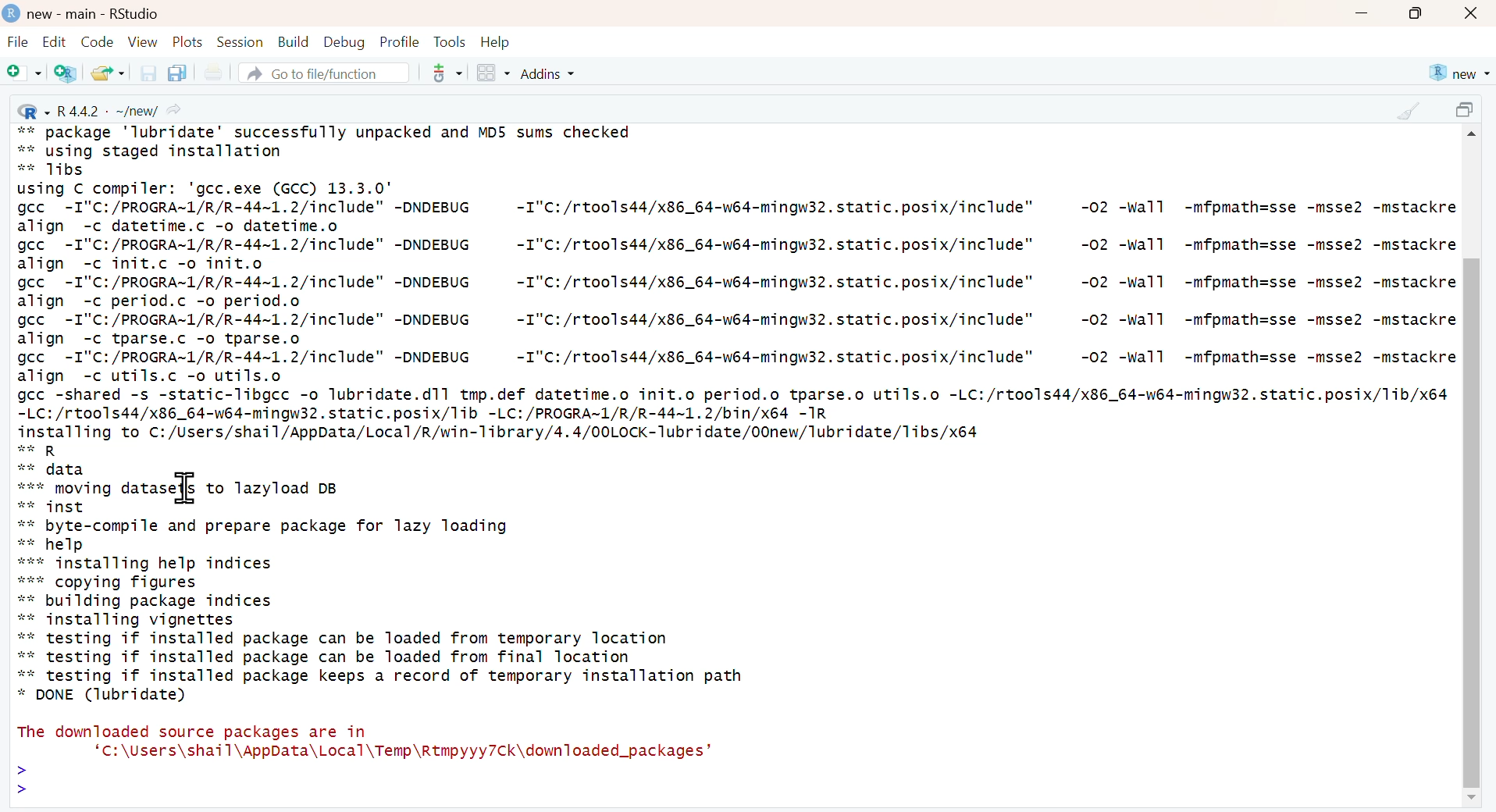  I want to click on more options, so click(442, 73).